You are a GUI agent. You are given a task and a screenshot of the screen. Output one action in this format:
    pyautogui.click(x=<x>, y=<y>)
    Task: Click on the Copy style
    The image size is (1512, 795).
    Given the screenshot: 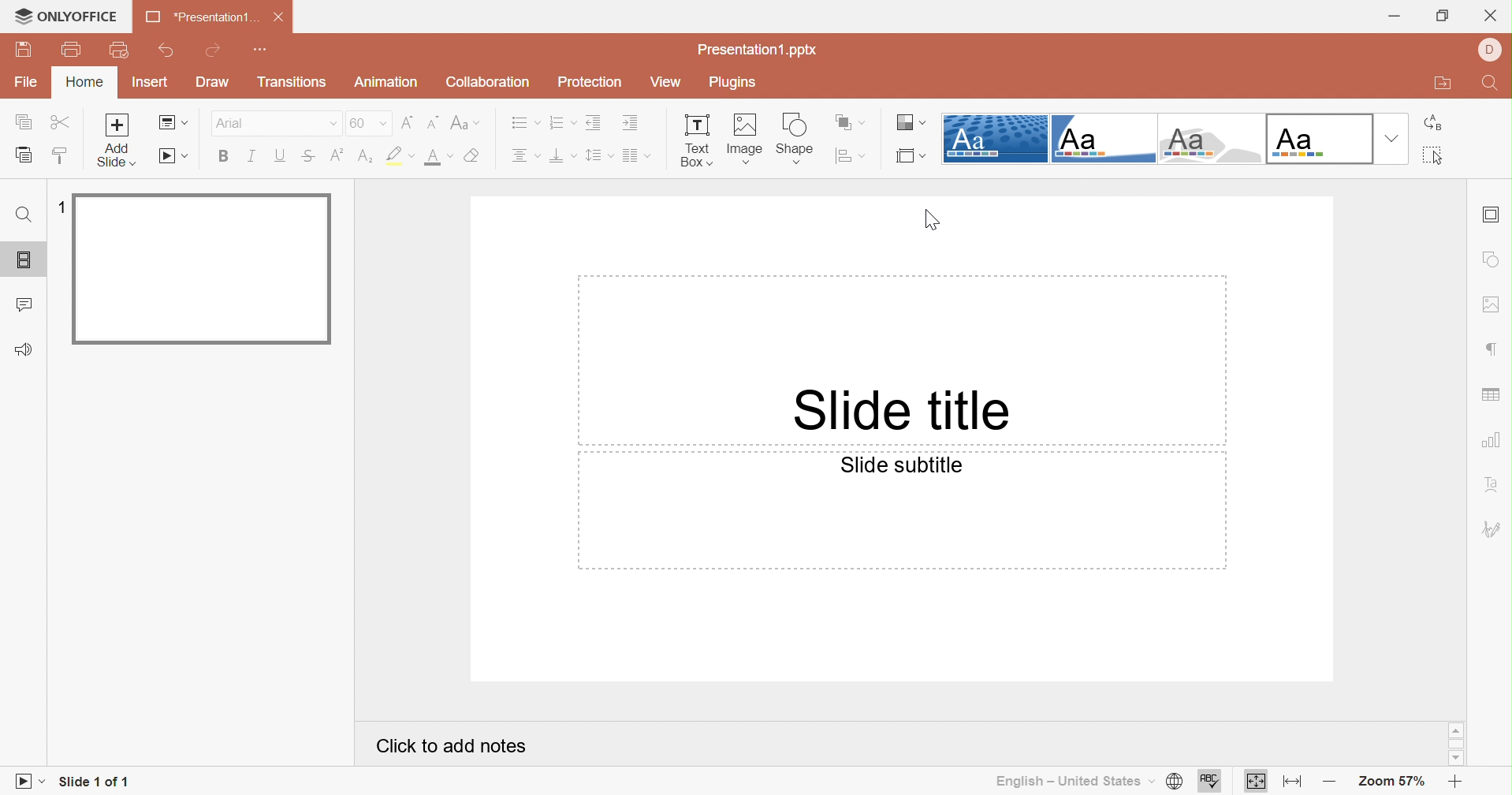 What is the action you would take?
    pyautogui.click(x=61, y=155)
    